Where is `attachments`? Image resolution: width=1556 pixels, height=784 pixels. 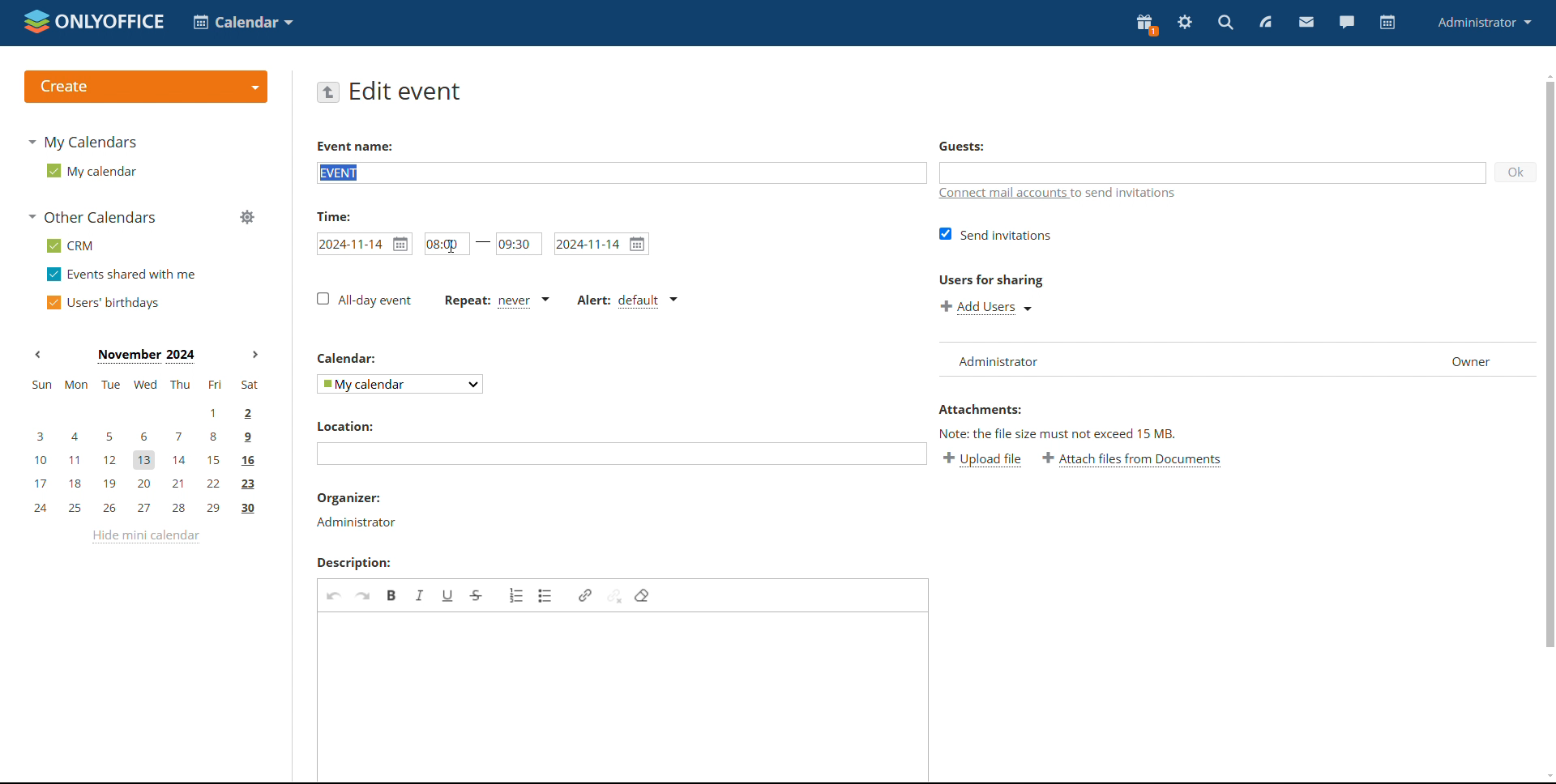
attachments is located at coordinates (981, 409).